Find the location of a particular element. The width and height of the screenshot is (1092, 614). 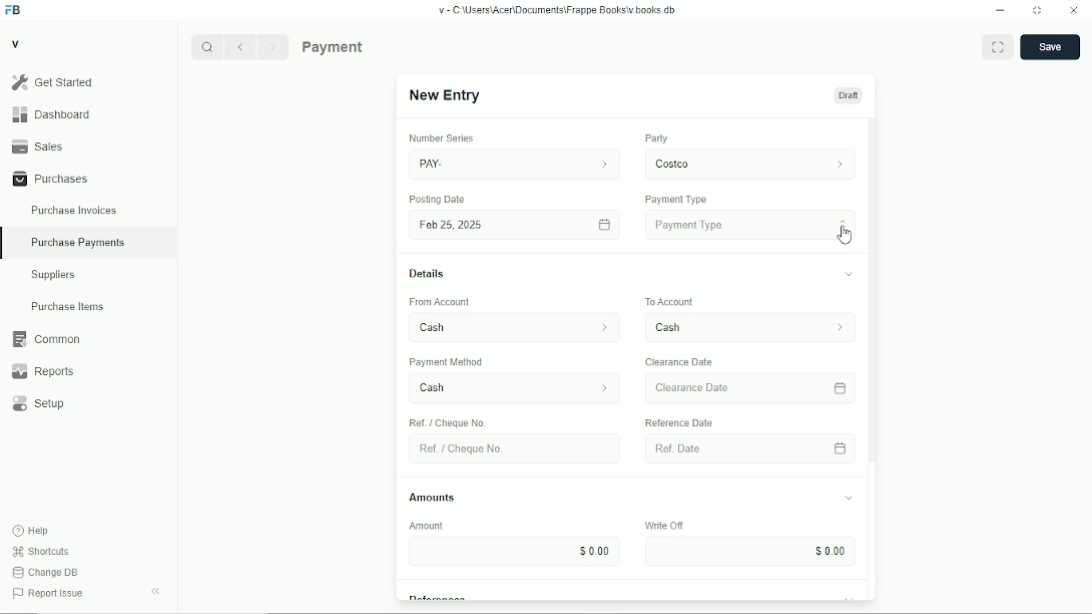

number series is located at coordinates (437, 139).